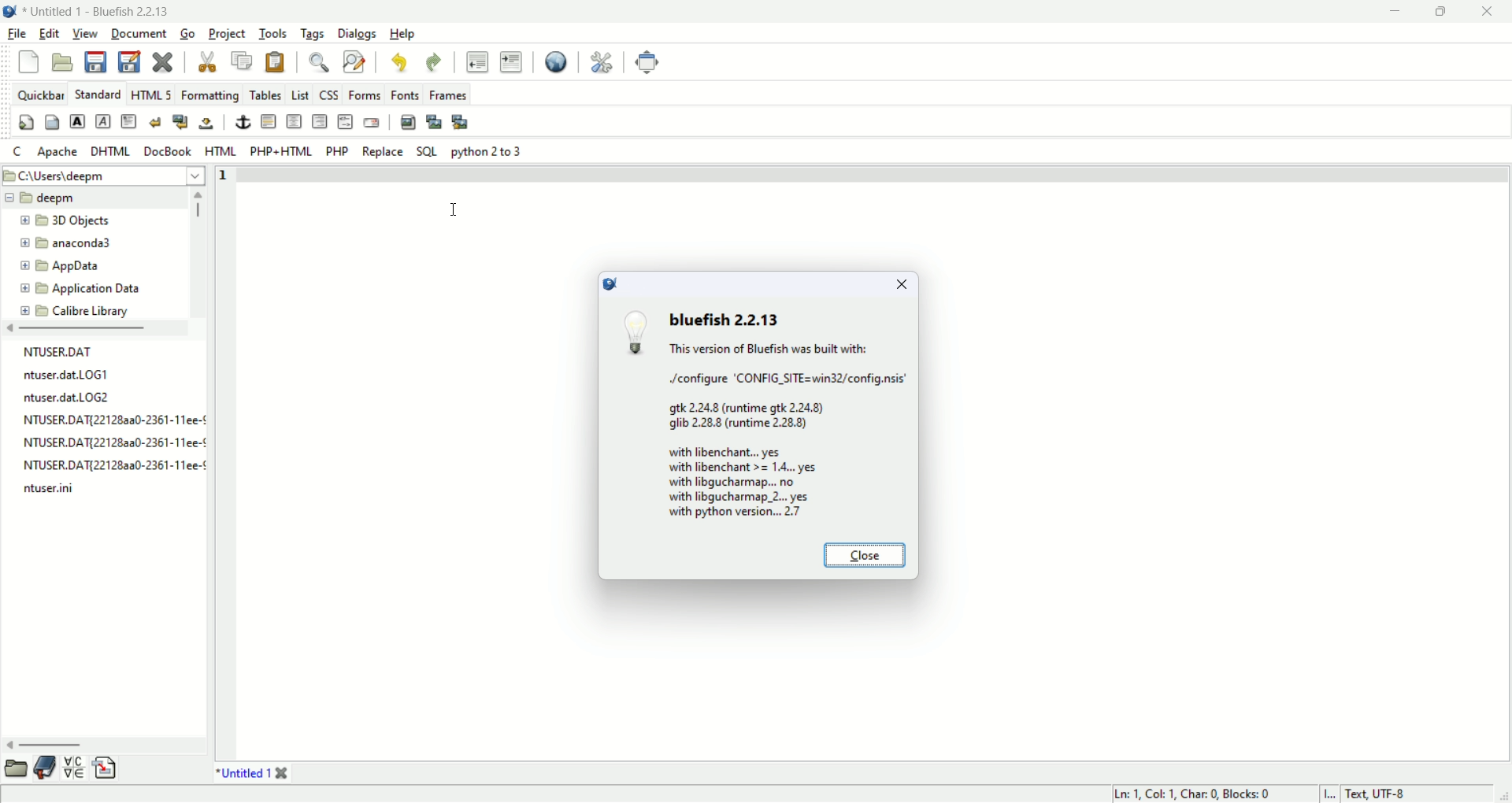 The height and width of the screenshot is (803, 1512). Describe the element at coordinates (86, 288) in the screenshot. I see `folder name` at that location.